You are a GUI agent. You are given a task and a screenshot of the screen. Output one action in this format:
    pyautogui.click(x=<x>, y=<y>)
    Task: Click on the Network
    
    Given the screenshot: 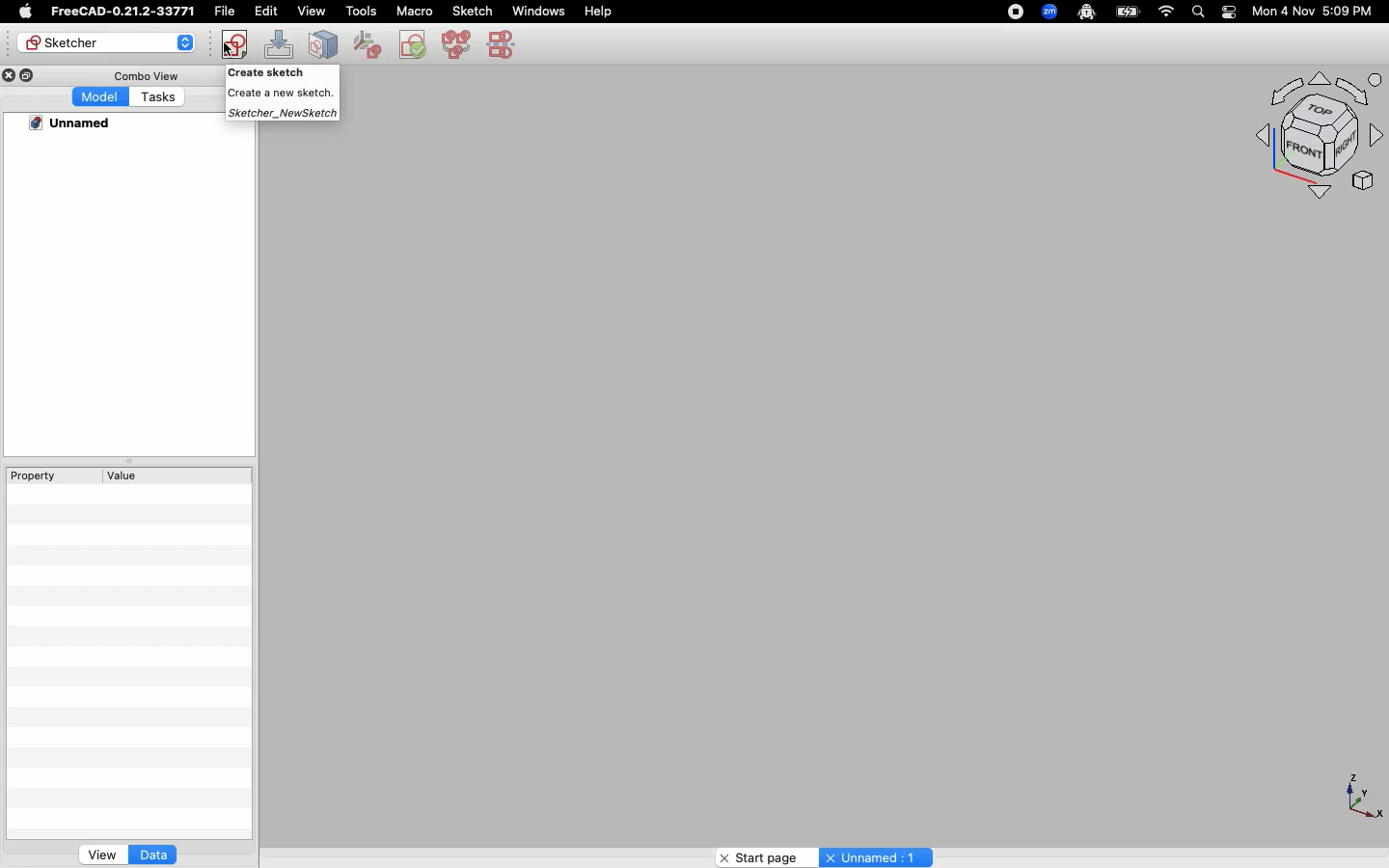 What is the action you would take?
    pyautogui.click(x=1167, y=12)
    